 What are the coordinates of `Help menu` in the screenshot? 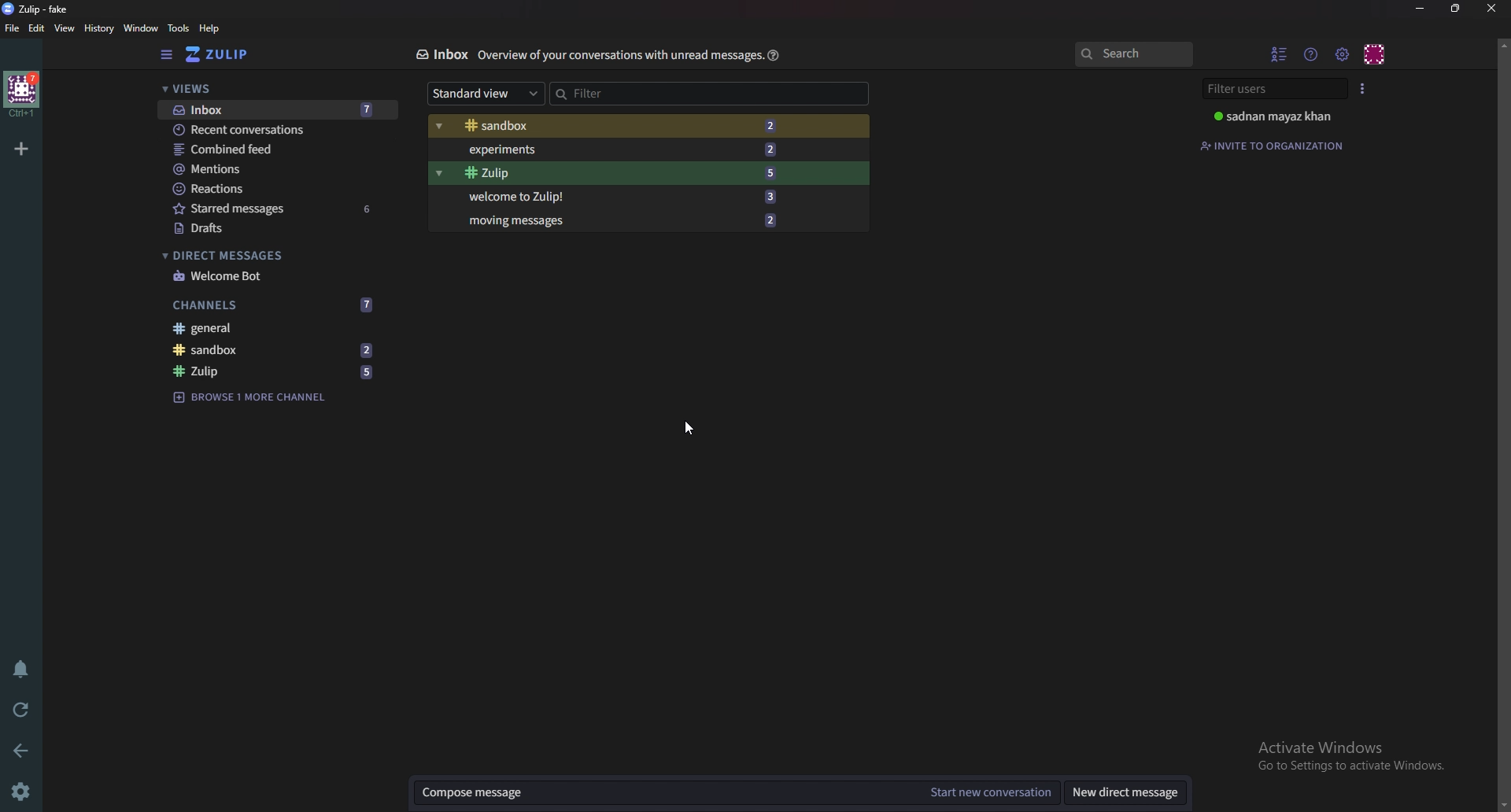 It's located at (1312, 54).